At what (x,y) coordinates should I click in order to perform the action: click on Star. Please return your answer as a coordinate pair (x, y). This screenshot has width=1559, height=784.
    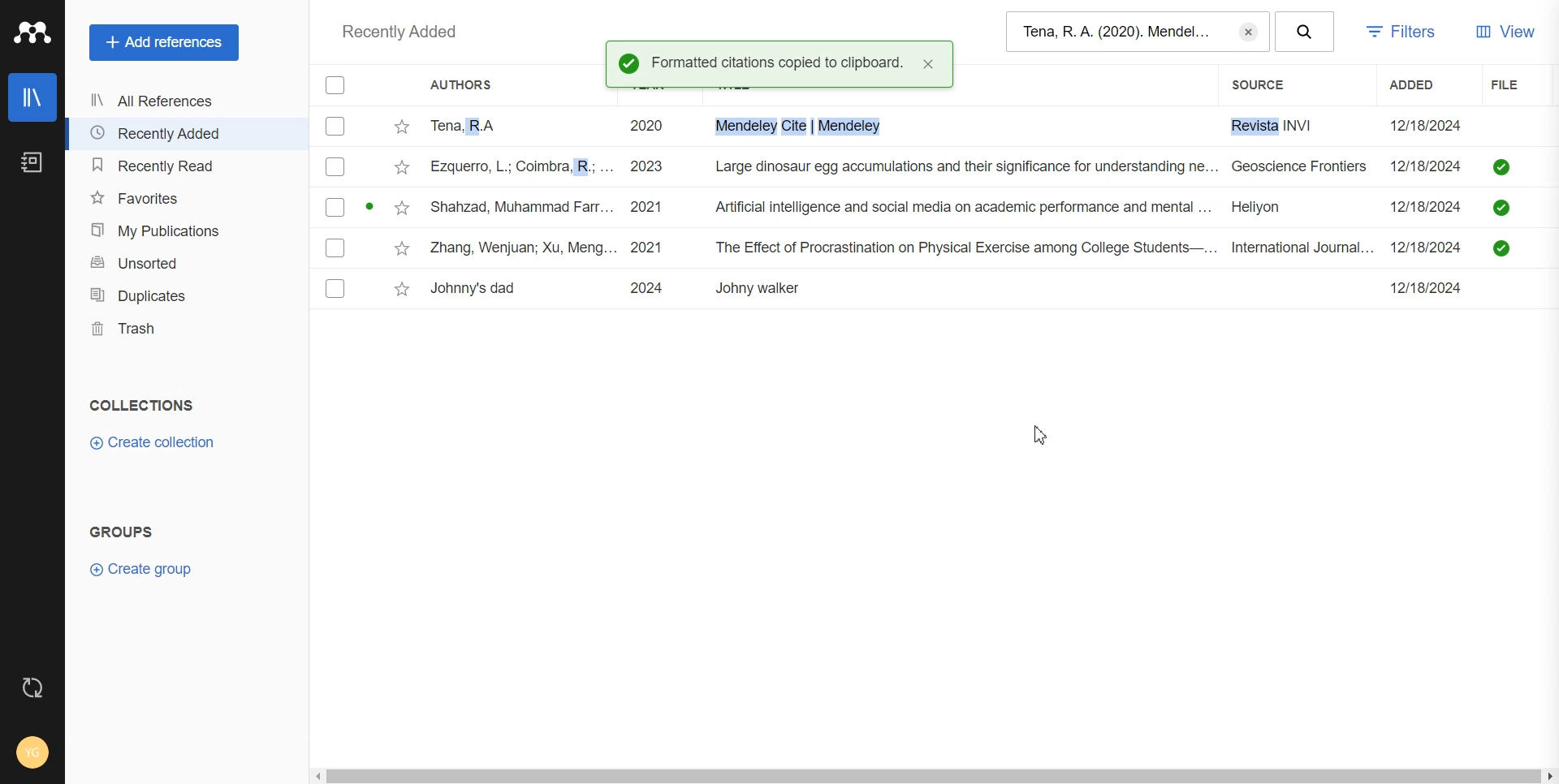
    Looking at the image, I should click on (401, 247).